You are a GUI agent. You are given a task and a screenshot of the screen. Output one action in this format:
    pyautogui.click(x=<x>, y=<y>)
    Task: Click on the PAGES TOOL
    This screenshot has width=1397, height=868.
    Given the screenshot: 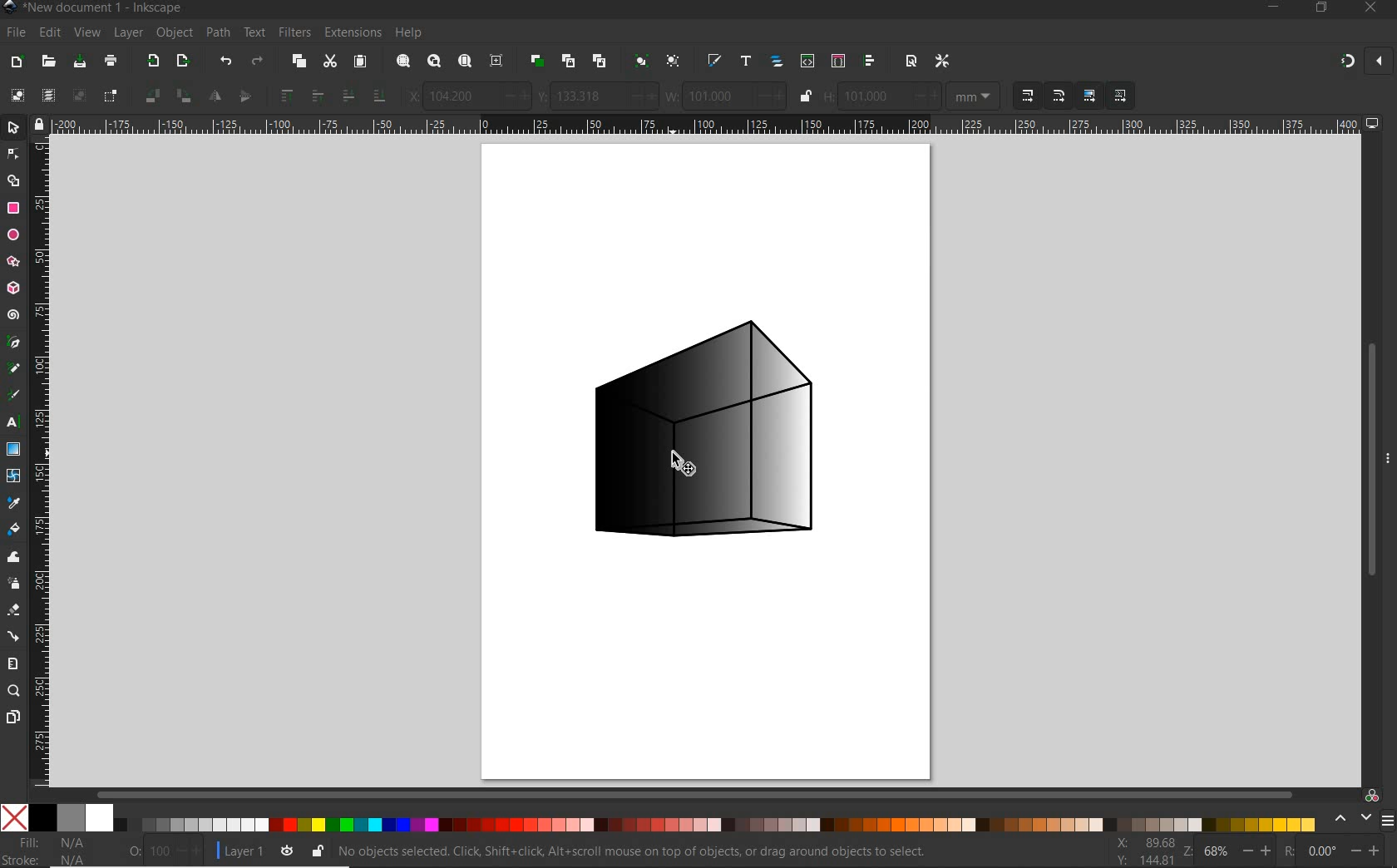 What is the action you would take?
    pyautogui.click(x=13, y=718)
    